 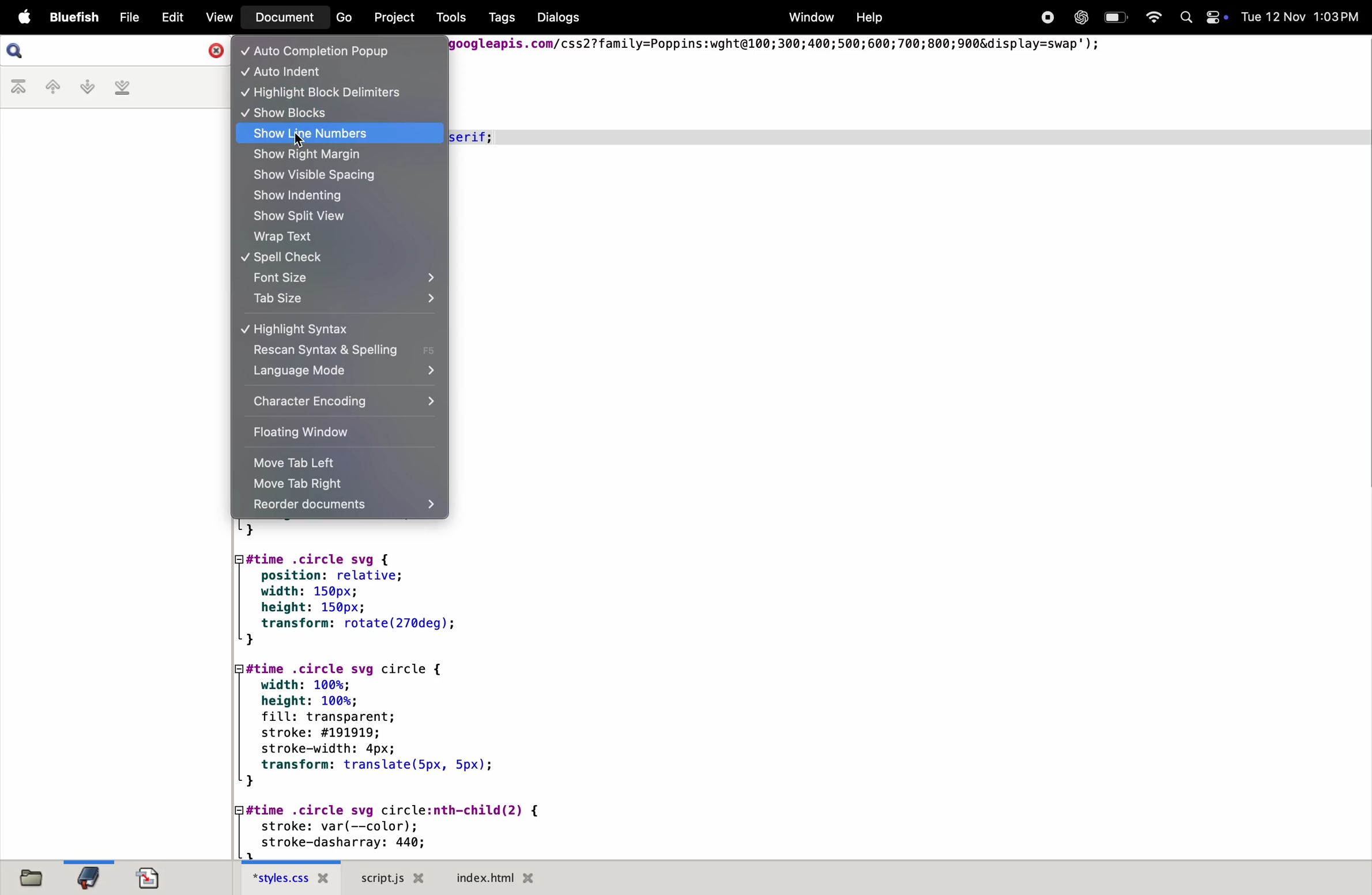 I want to click on spell check, so click(x=340, y=260).